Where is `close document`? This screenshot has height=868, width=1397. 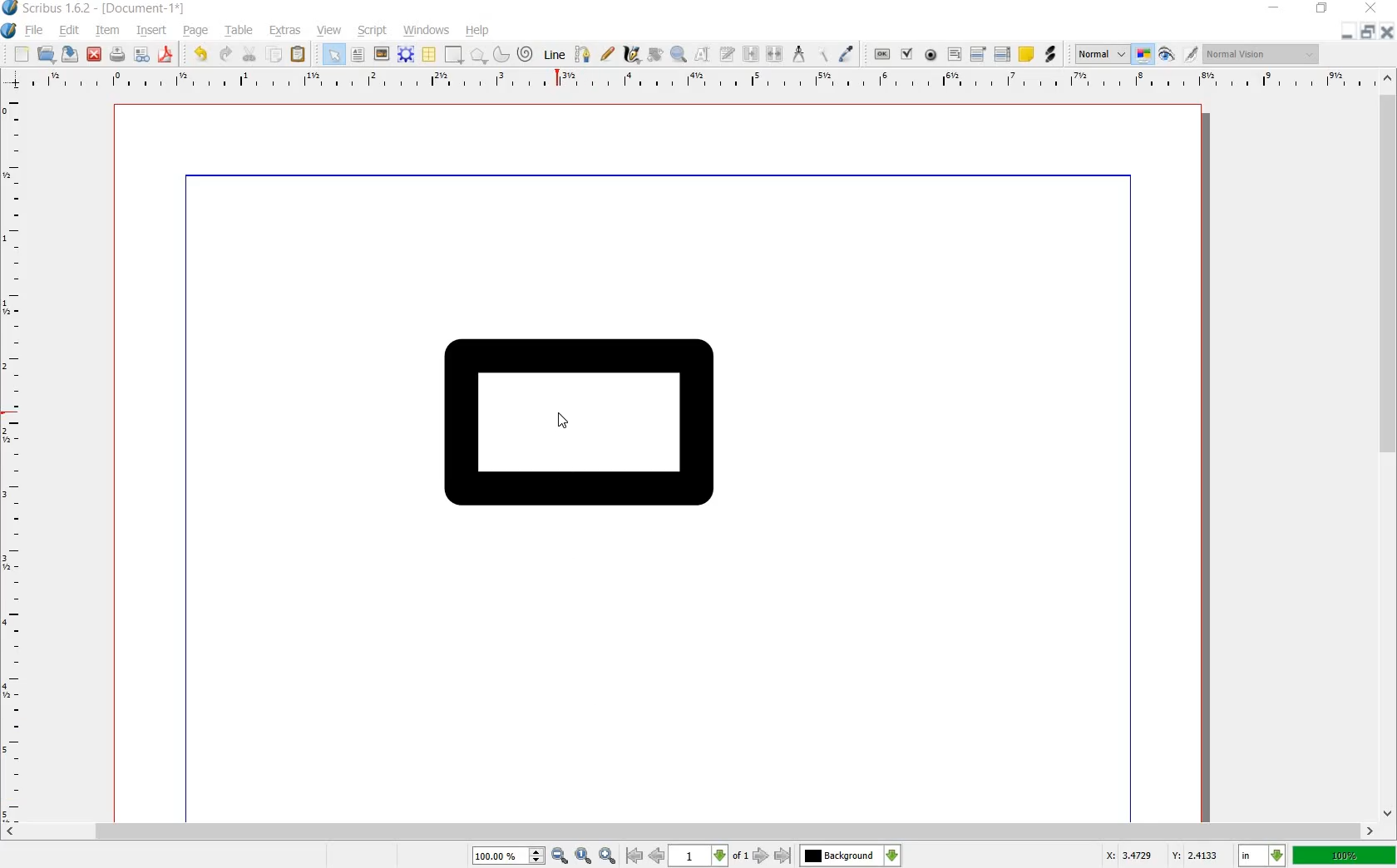 close document is located at coordinates (1389, 30).